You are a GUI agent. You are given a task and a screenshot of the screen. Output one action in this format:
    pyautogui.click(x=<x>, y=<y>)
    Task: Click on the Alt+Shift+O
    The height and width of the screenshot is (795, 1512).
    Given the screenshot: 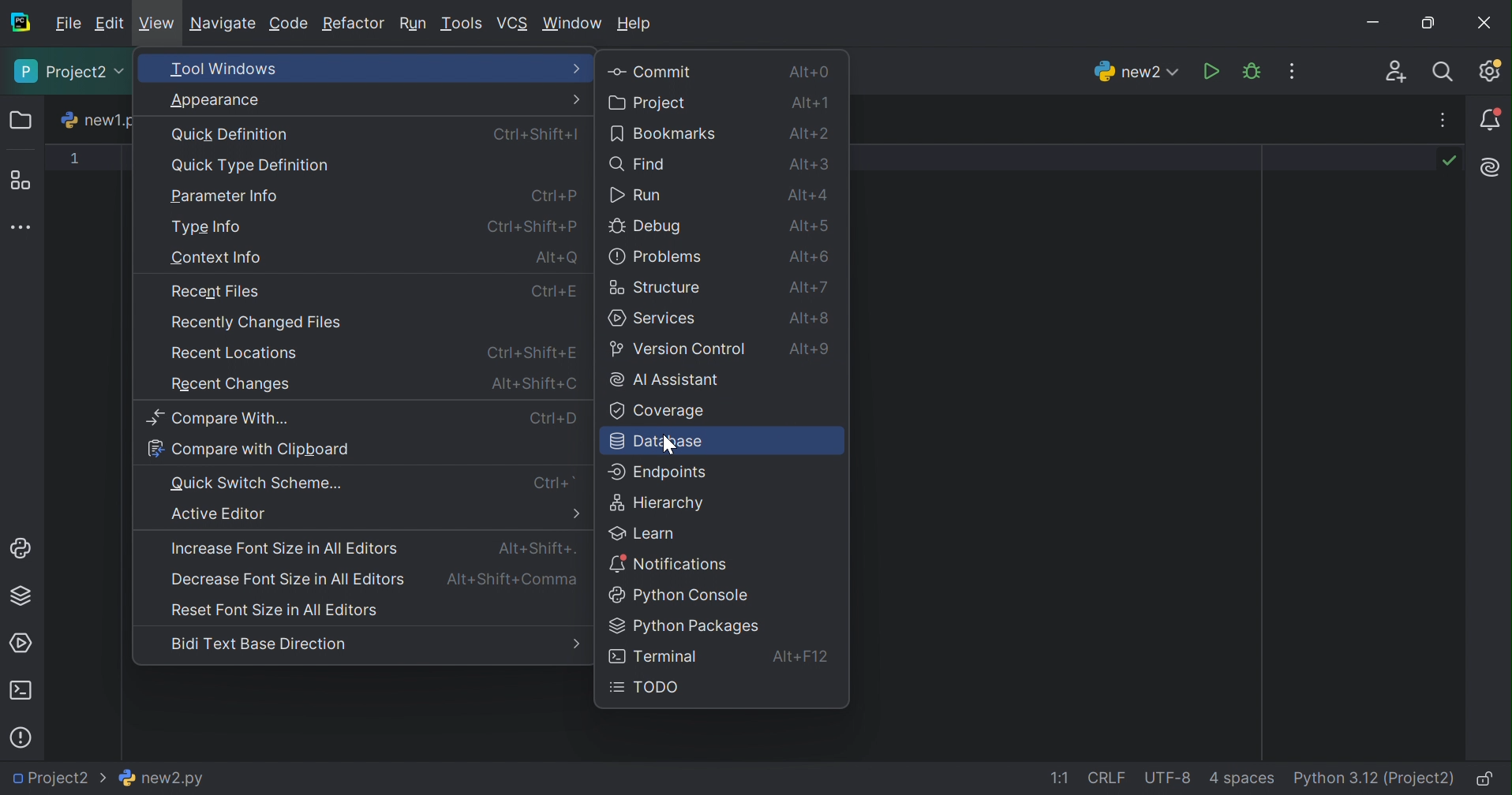 What is the action you would take?
    pyautogui.click(x=531, y=386)
    